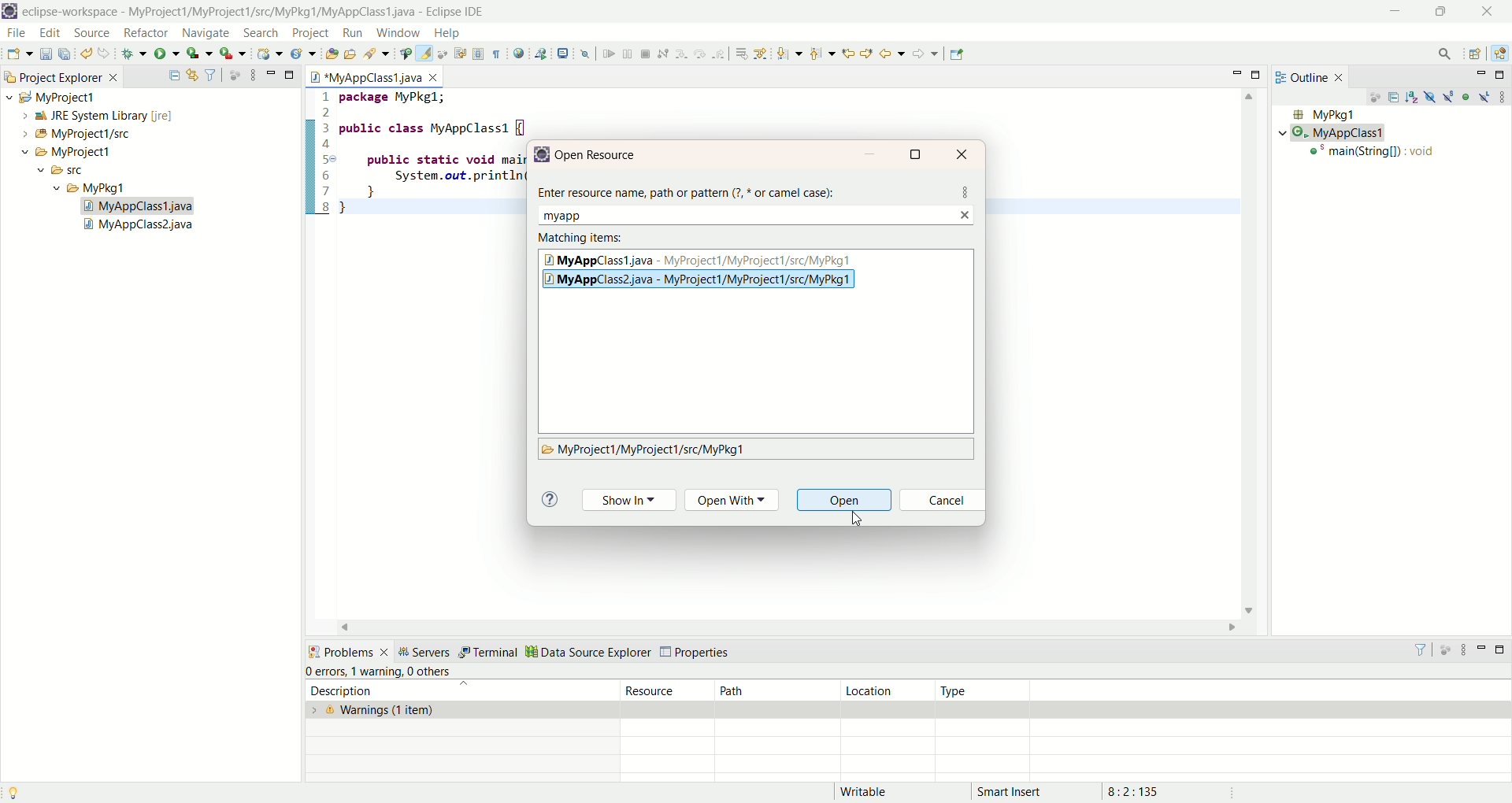  What do you see at coordinates (858, 520) in the screenshot?
I see `cursor` at bounding box center [858, 520].